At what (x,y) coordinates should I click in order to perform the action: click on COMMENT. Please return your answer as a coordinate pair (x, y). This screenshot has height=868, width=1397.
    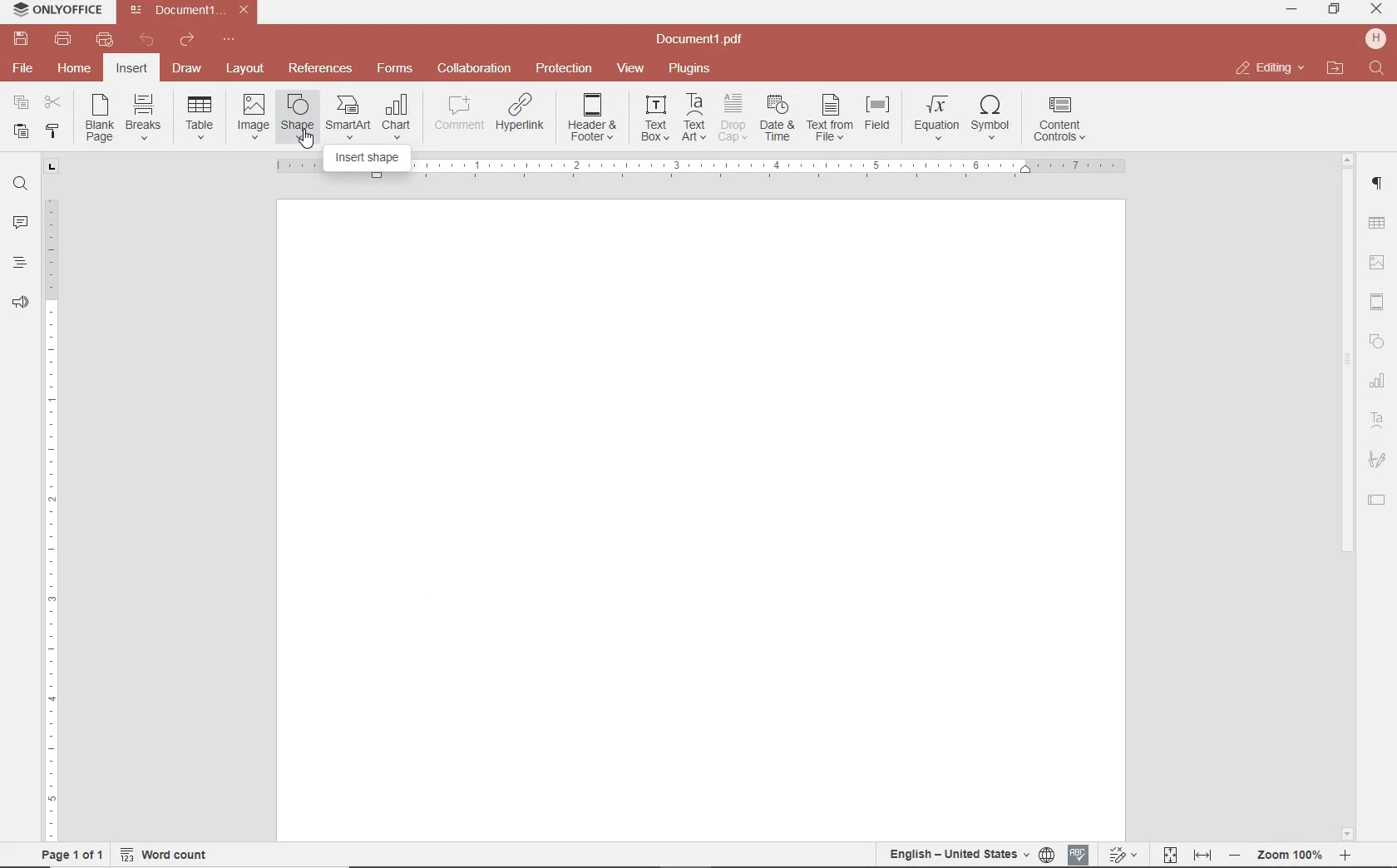
    Looking at the image, I should click on (461, 113).